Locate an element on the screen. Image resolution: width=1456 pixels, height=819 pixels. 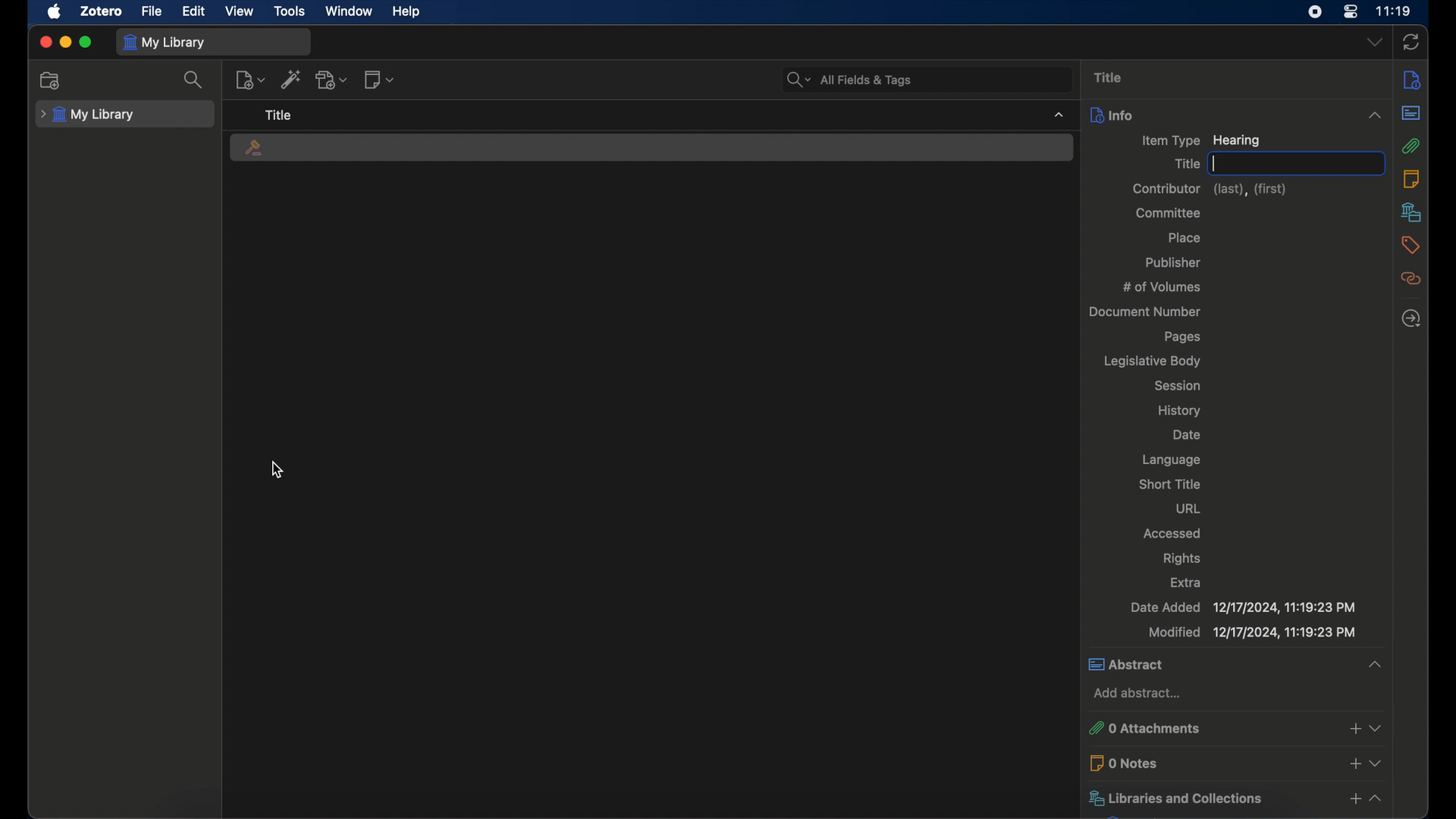
libraries is located at coordinates (1235, 798).